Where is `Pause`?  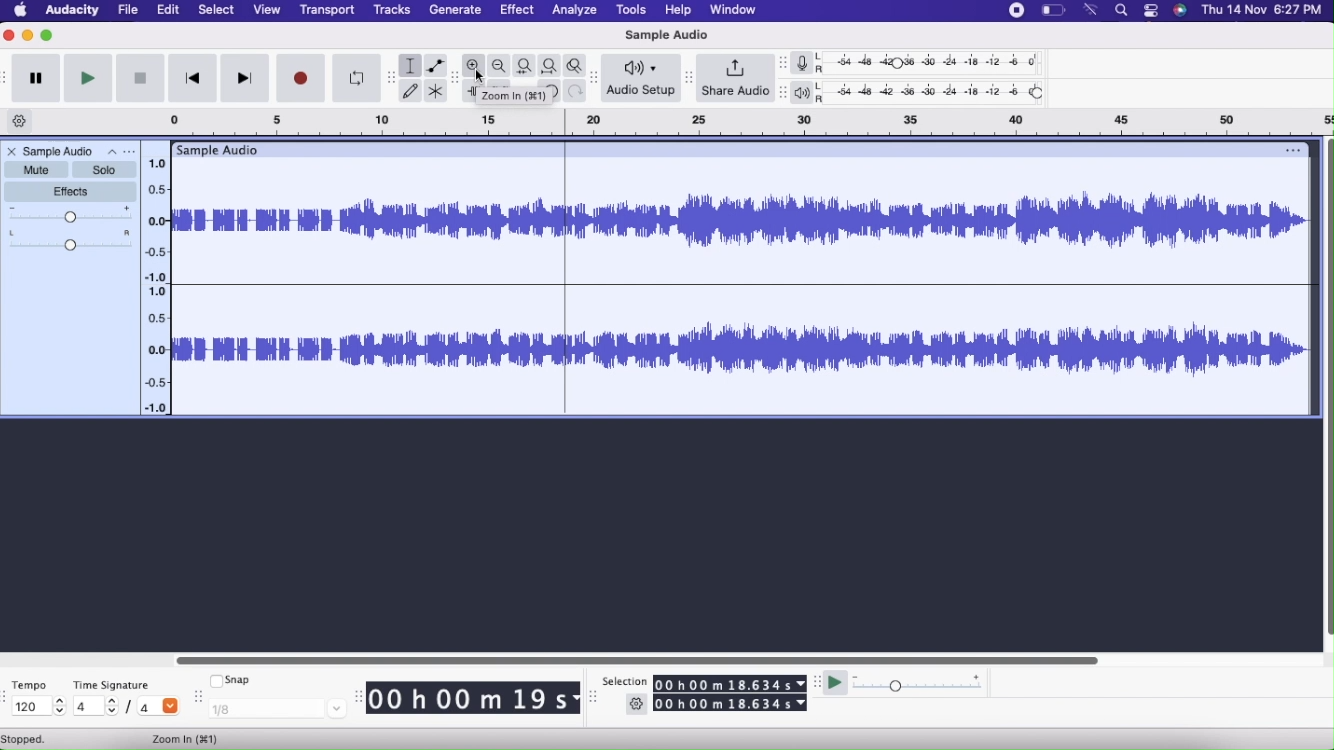 Pause is located at coordinates (38, 79).